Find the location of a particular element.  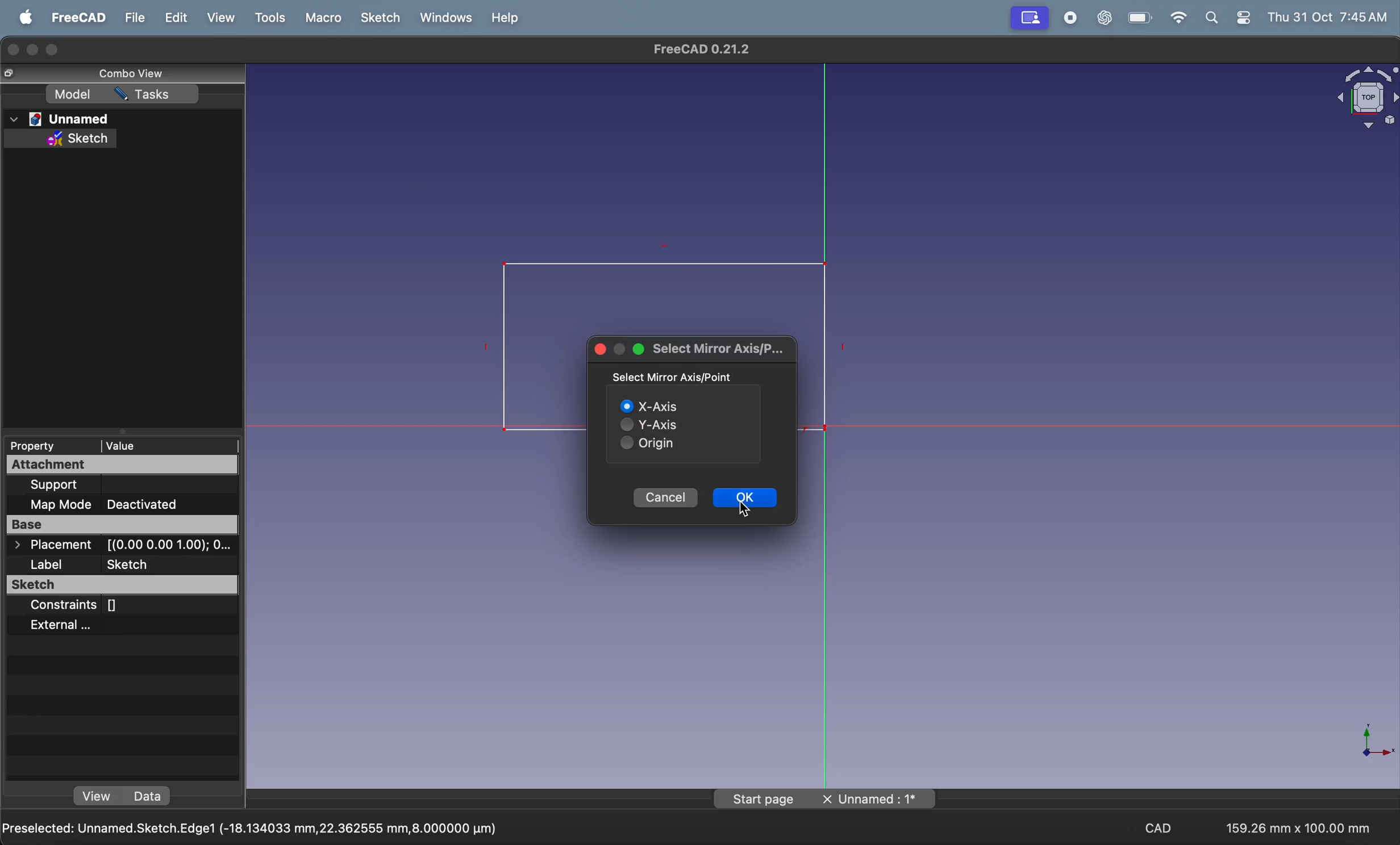

battery is located at coordinates (1139, 18).